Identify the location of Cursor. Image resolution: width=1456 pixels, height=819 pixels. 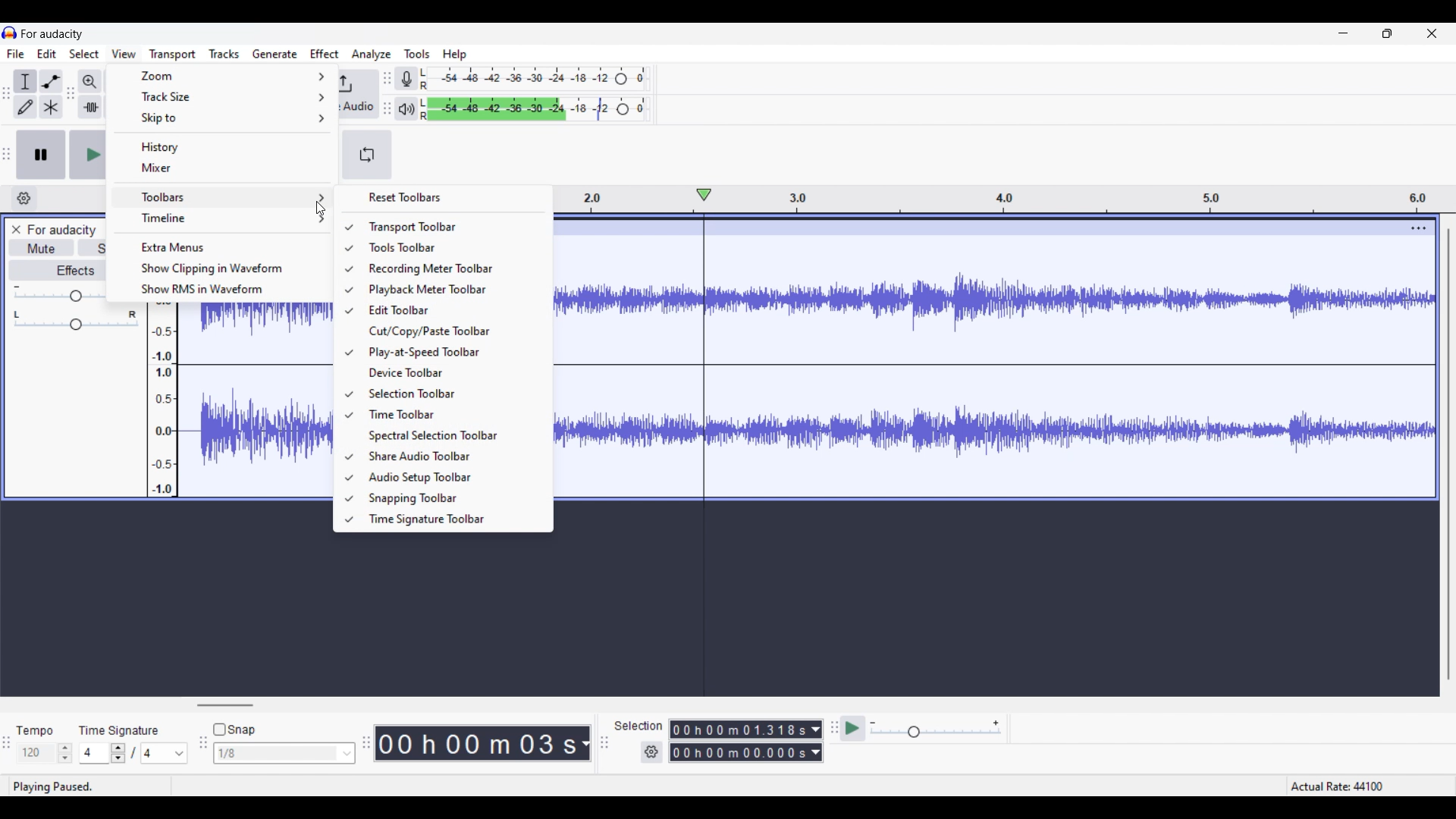
(320, 209).